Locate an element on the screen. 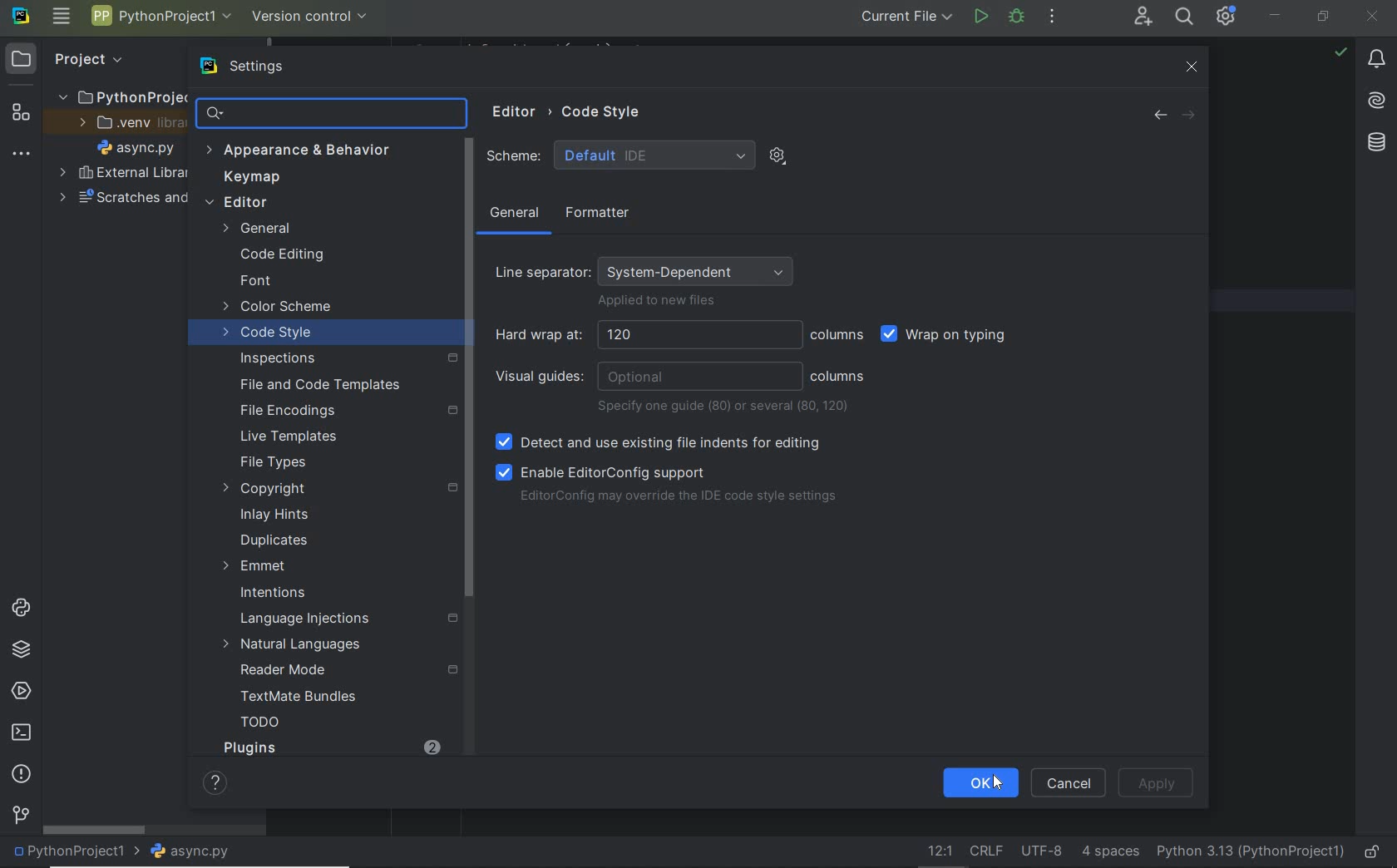  forward is located at coordinates (1192, 116).